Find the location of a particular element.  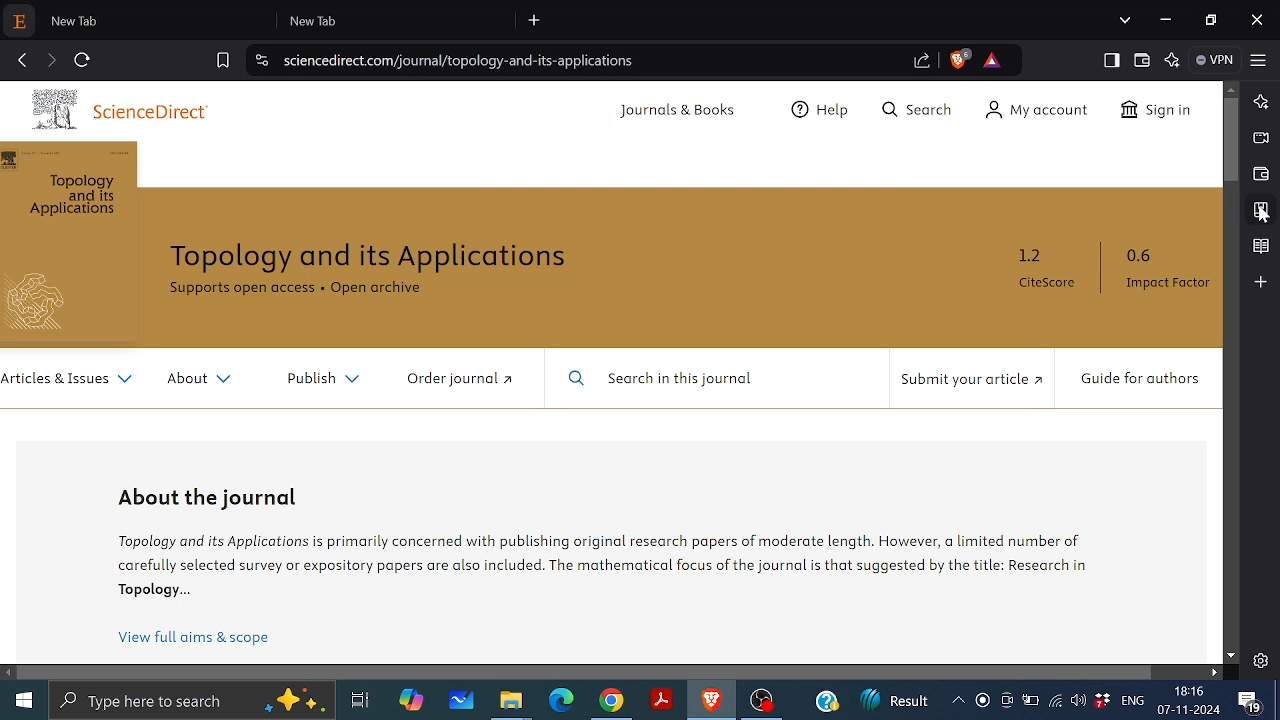

Guide for authors is located at coordinates (1137, 379).